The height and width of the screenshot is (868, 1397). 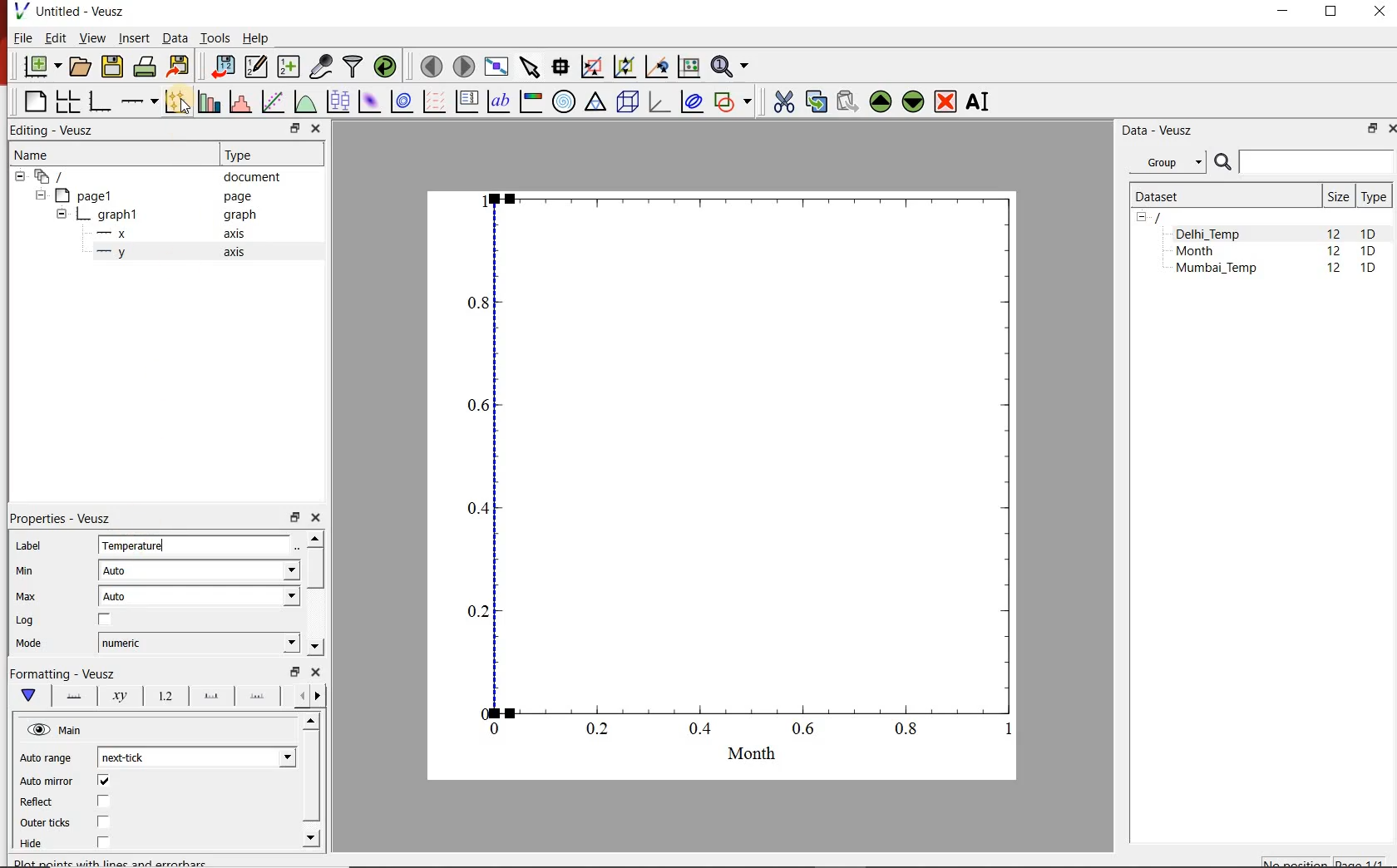 I want to click on restore, so click(x=297, y=671).